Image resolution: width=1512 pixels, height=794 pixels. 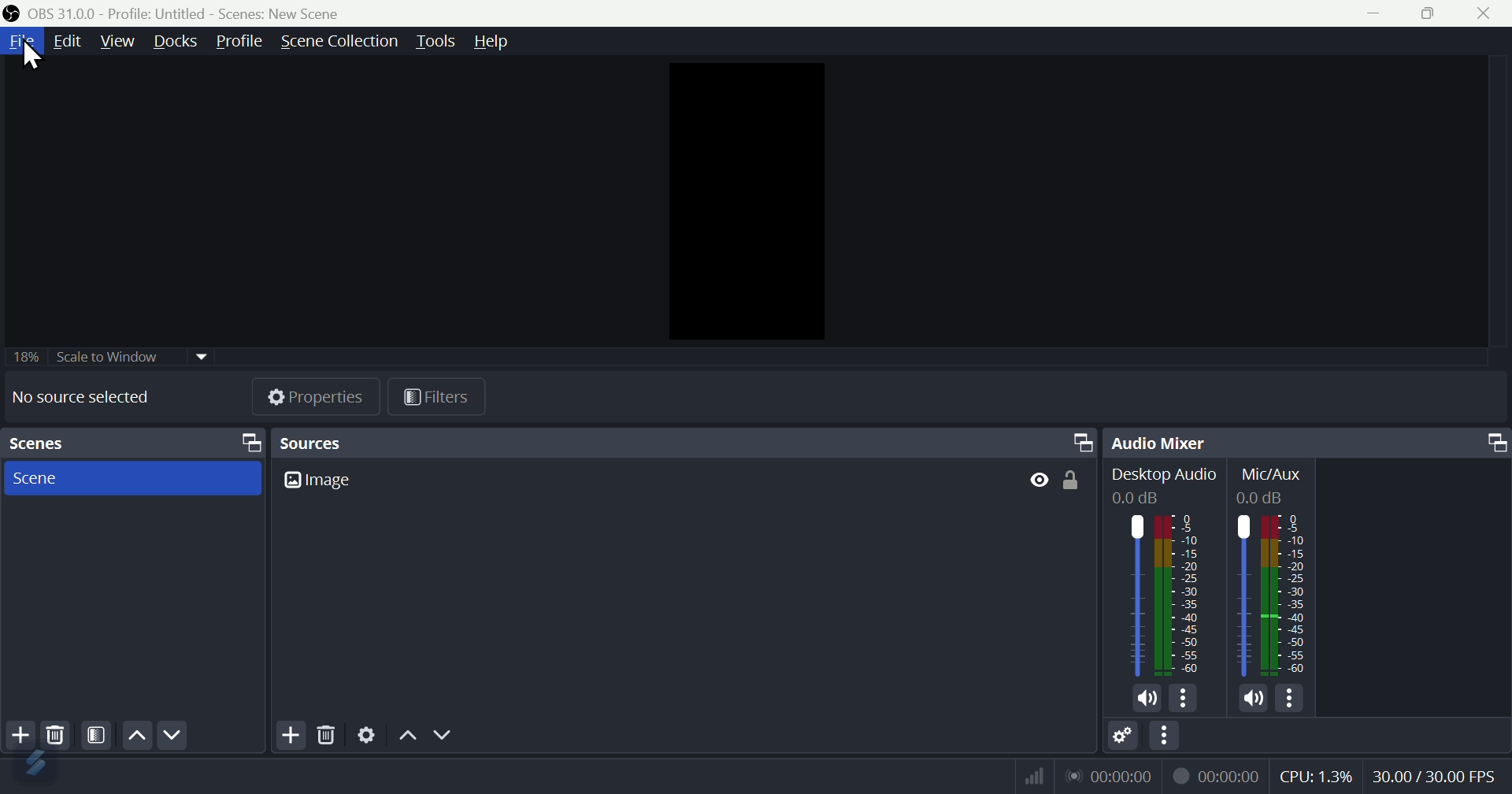 What do you see at coordinates (114, 42) in the screenshot?
I see `View` at bounding box center [114, 42].